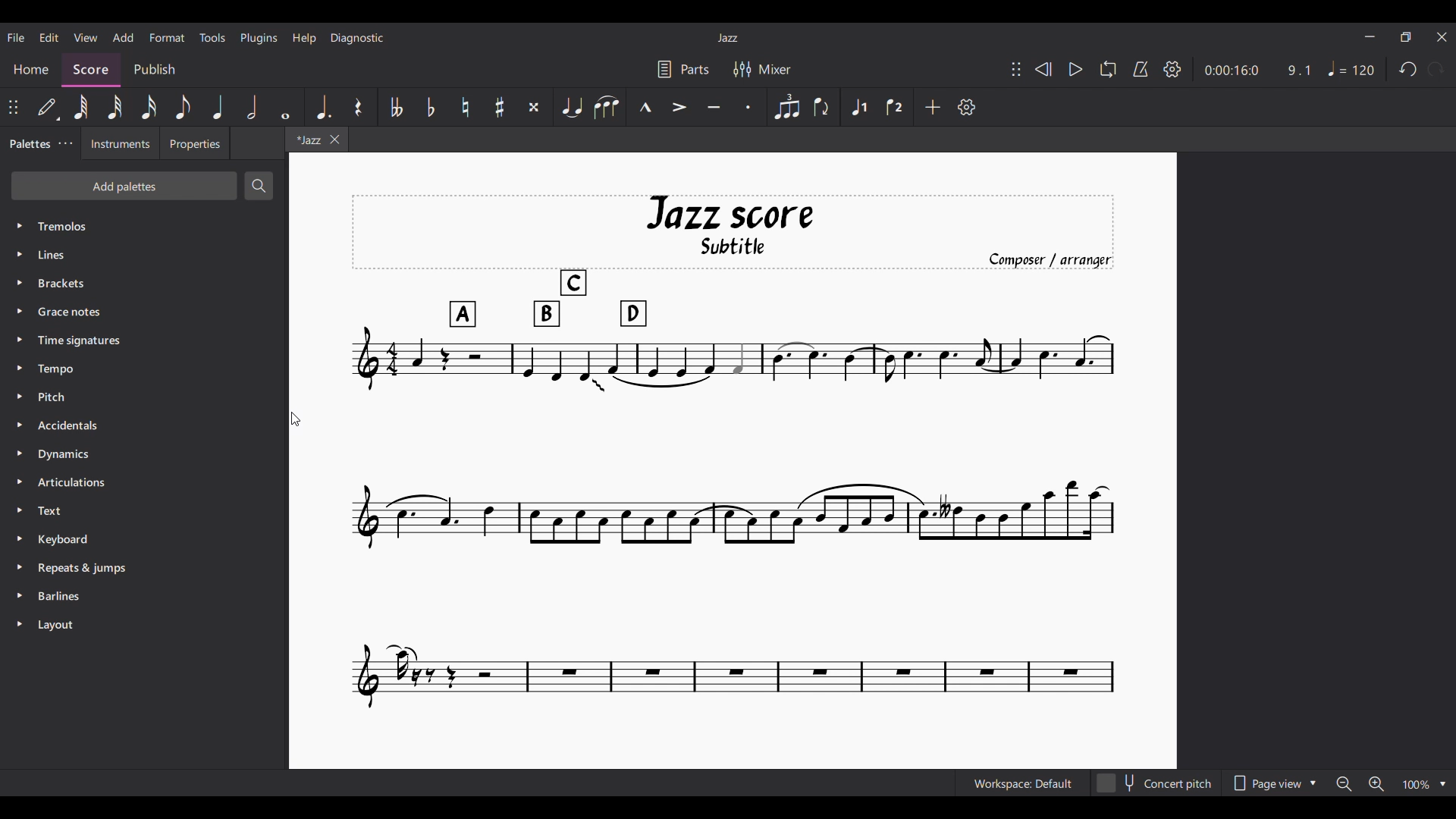 This screenshot has height=819, width=1456. Describe the element at coordinates (431, 107) in the screenshot. I see `Toggle flat` at that location.